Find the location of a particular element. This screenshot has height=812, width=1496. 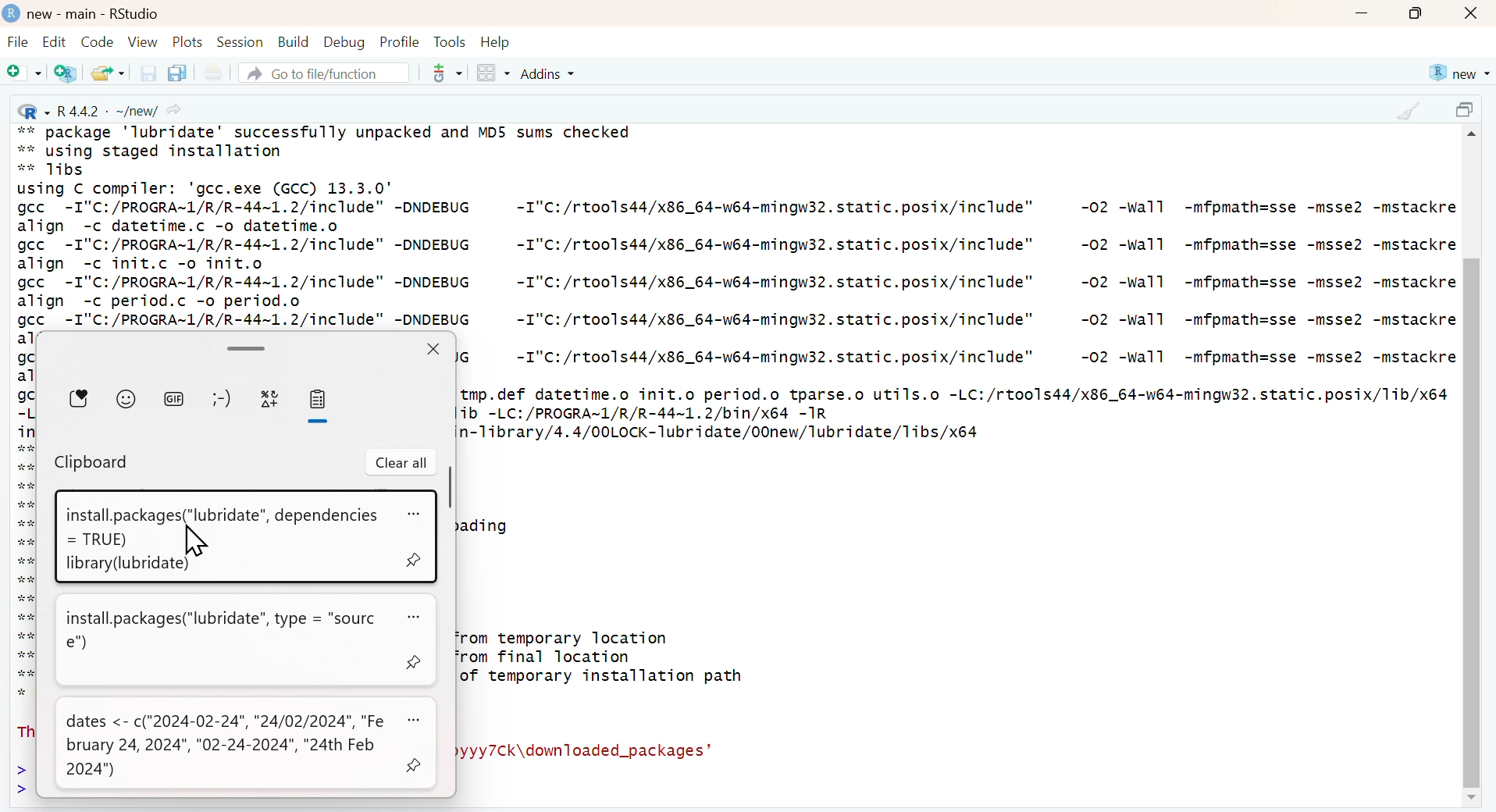

GIF is located at coordinates (174, 397).